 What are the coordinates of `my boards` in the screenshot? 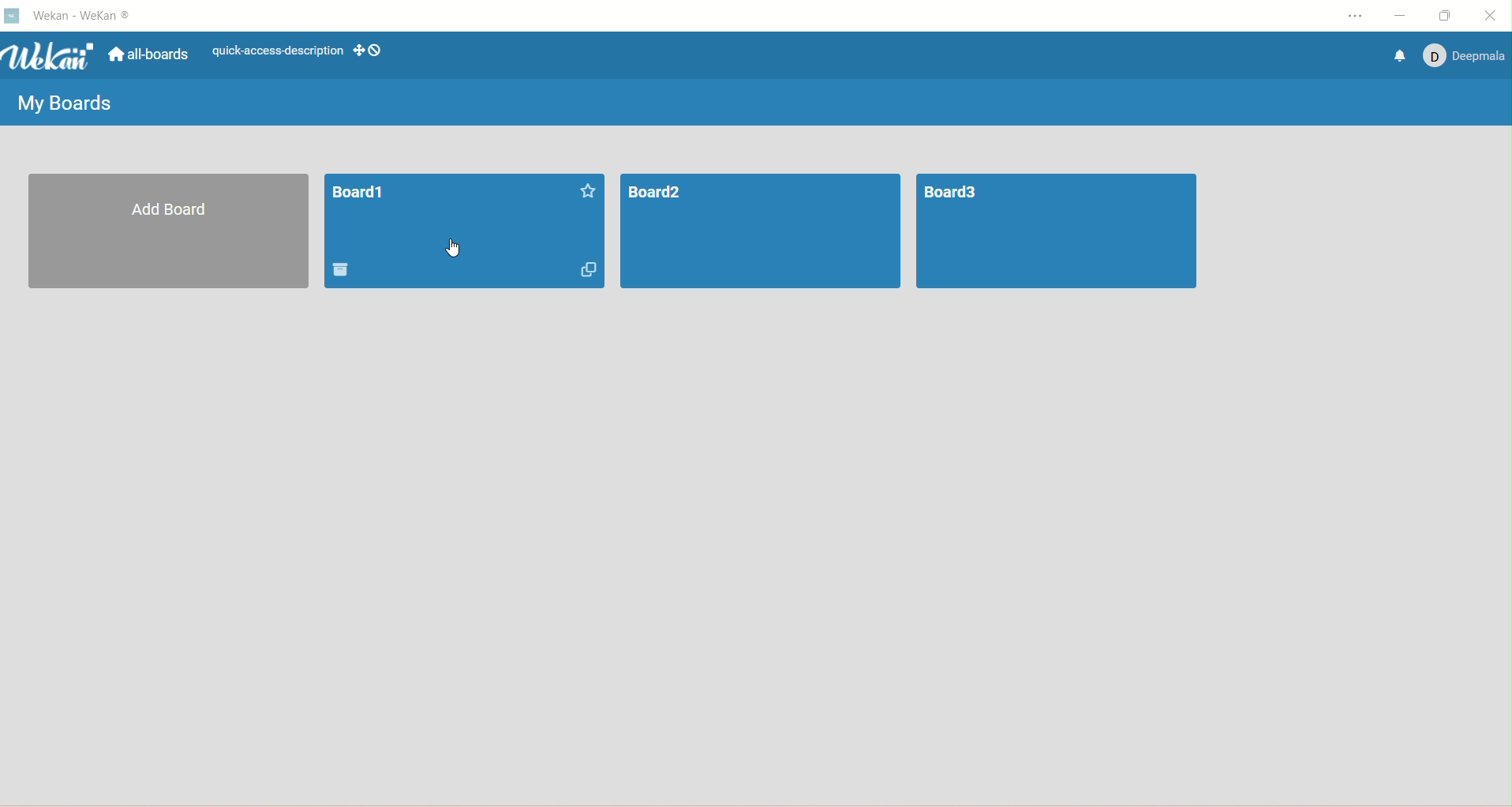 It's located at (68, 103).